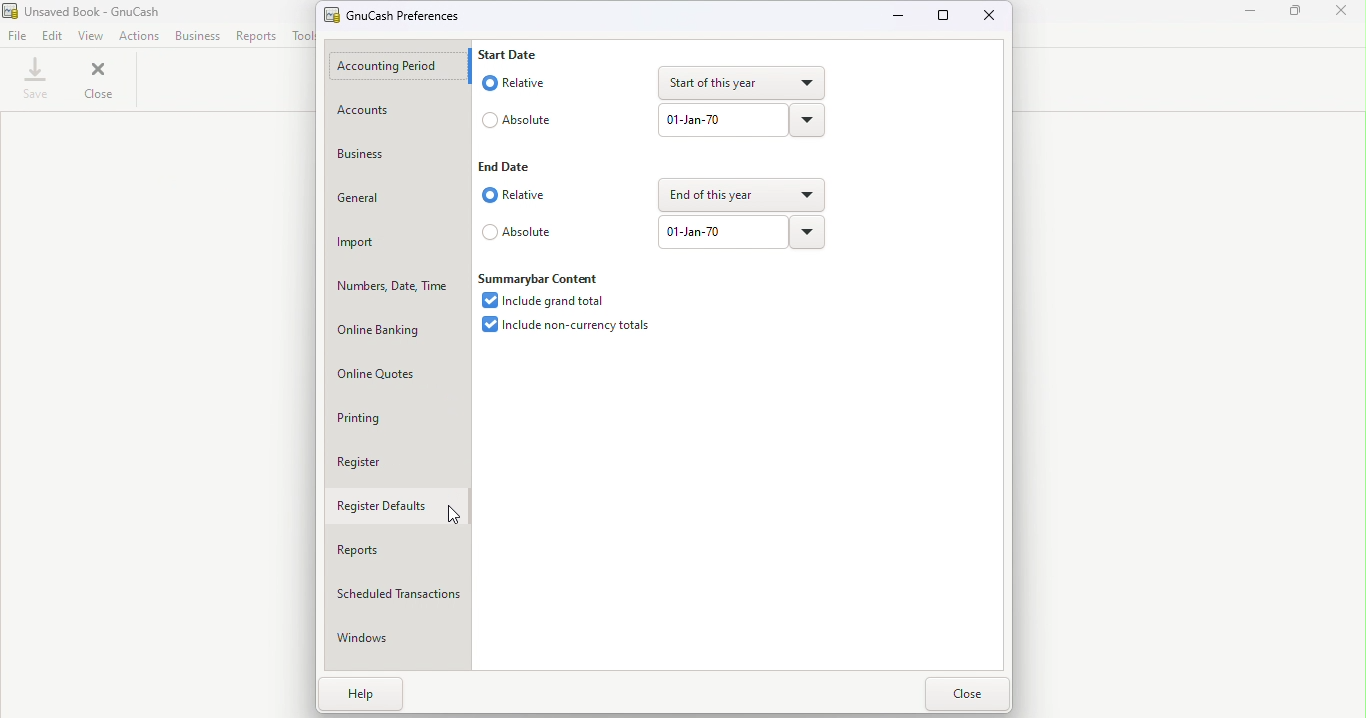 This screenshot has width=1366, height=718. I want to click on Register defaults, so click(393, 505).